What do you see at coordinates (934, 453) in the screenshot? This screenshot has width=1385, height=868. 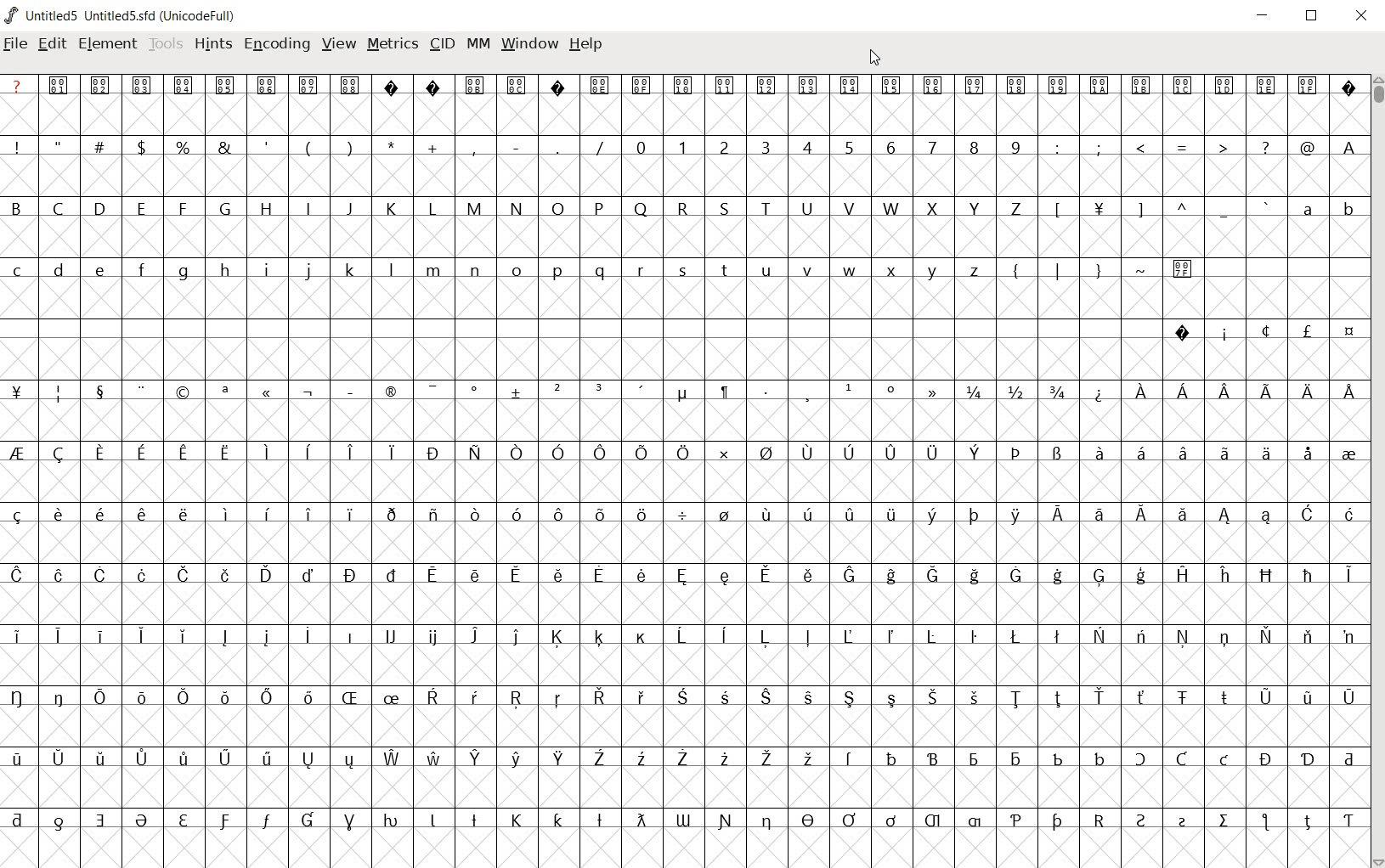 I see `Symbol` at bounding box center [934, 453].